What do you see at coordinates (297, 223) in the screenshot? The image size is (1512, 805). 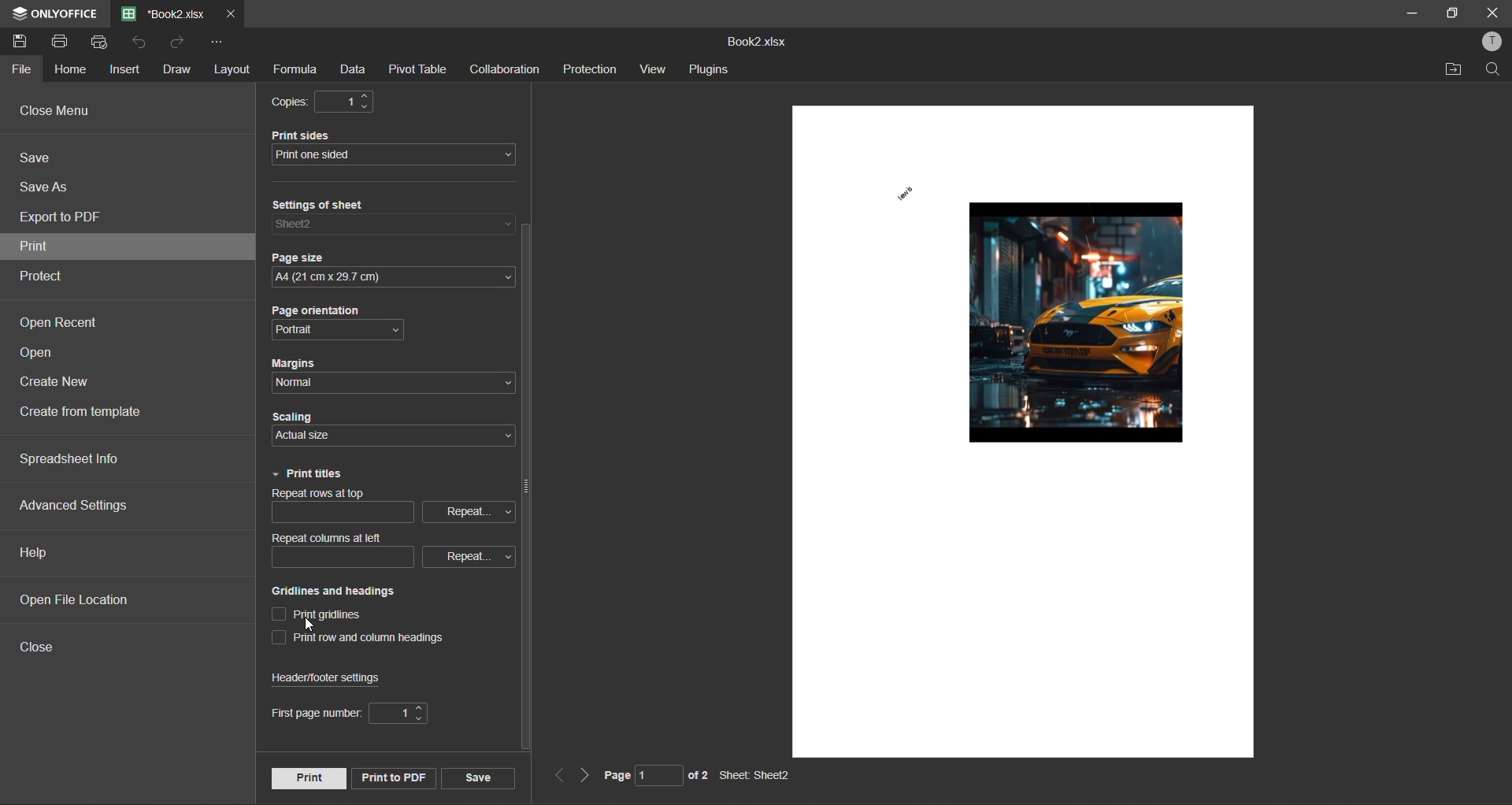 I see `sheet 2` at bounding box center [297, 223].